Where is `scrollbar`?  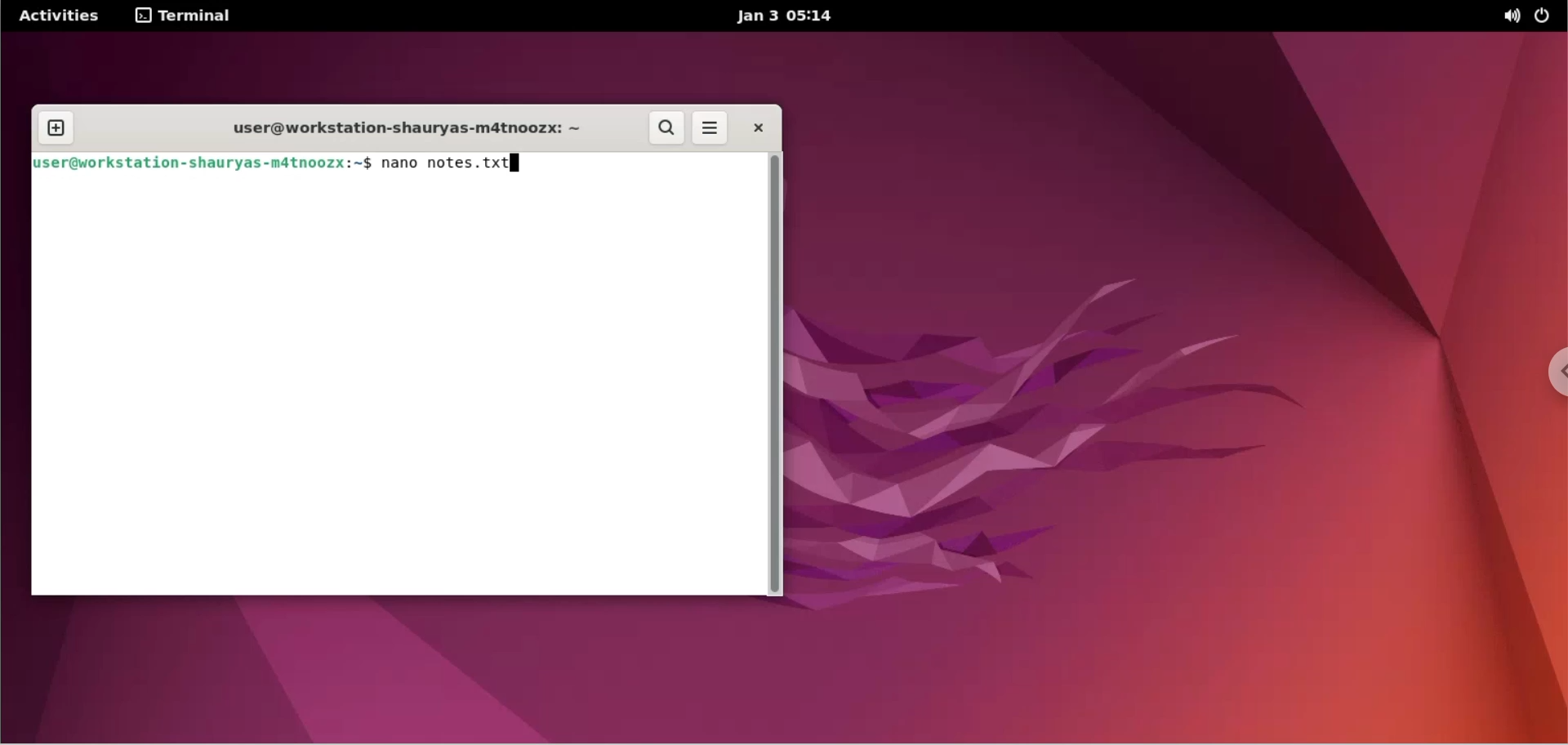 scrollbar is located at coordinates (778, 372).